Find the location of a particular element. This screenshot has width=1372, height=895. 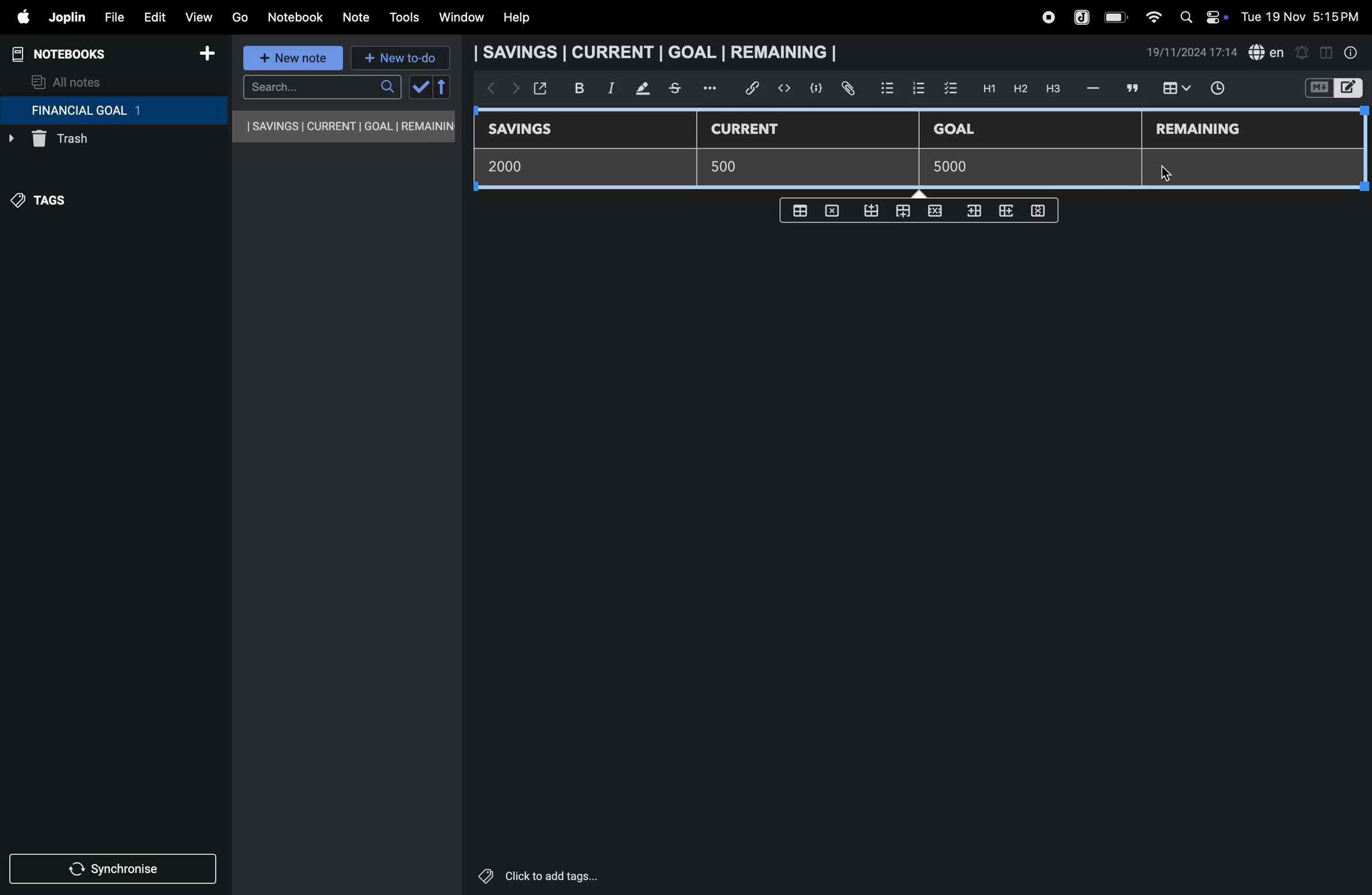

insert table is located at coordinates (1174, 89).